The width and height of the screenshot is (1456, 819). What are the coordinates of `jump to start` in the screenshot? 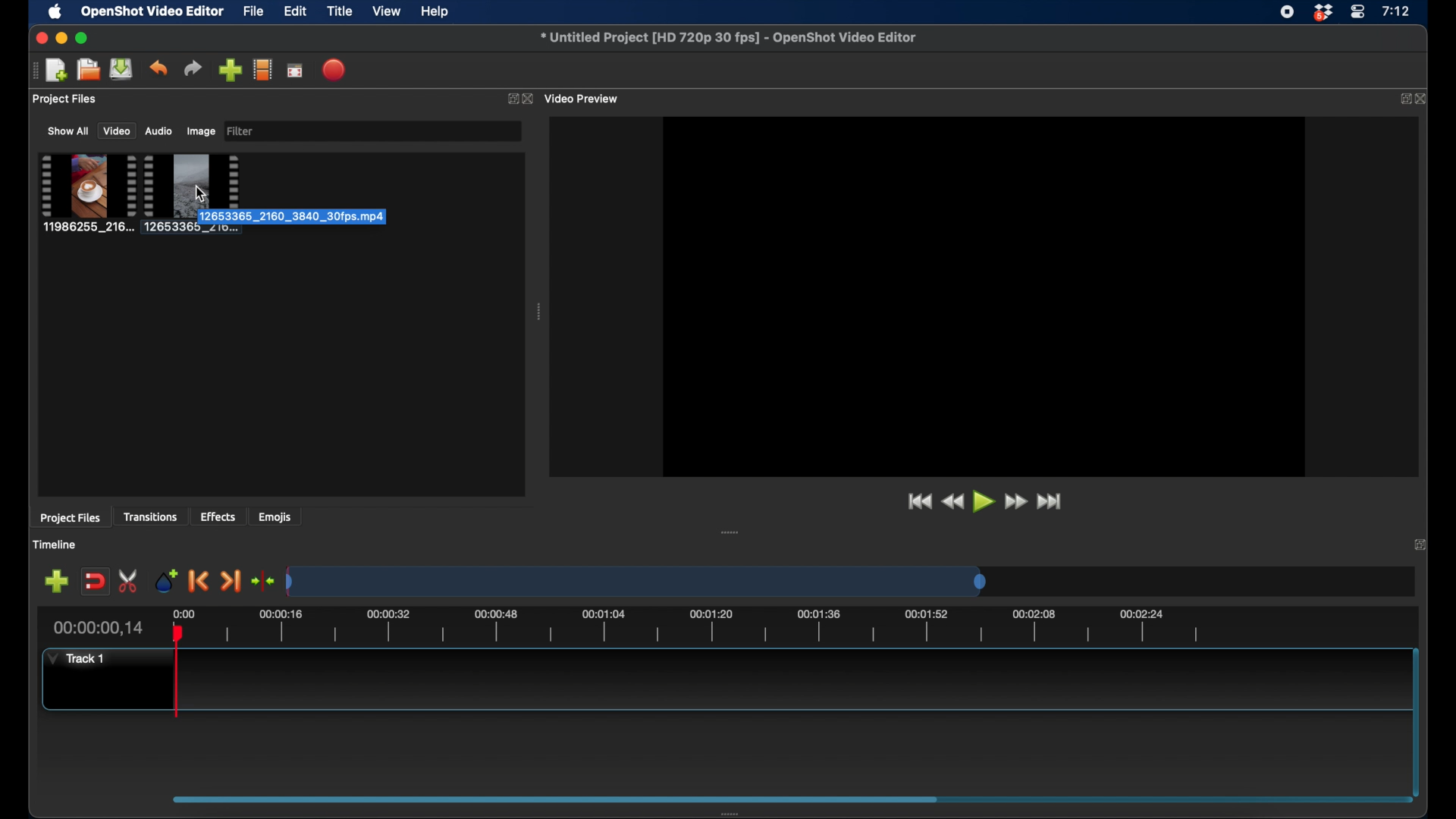 It's located at (919, 502).